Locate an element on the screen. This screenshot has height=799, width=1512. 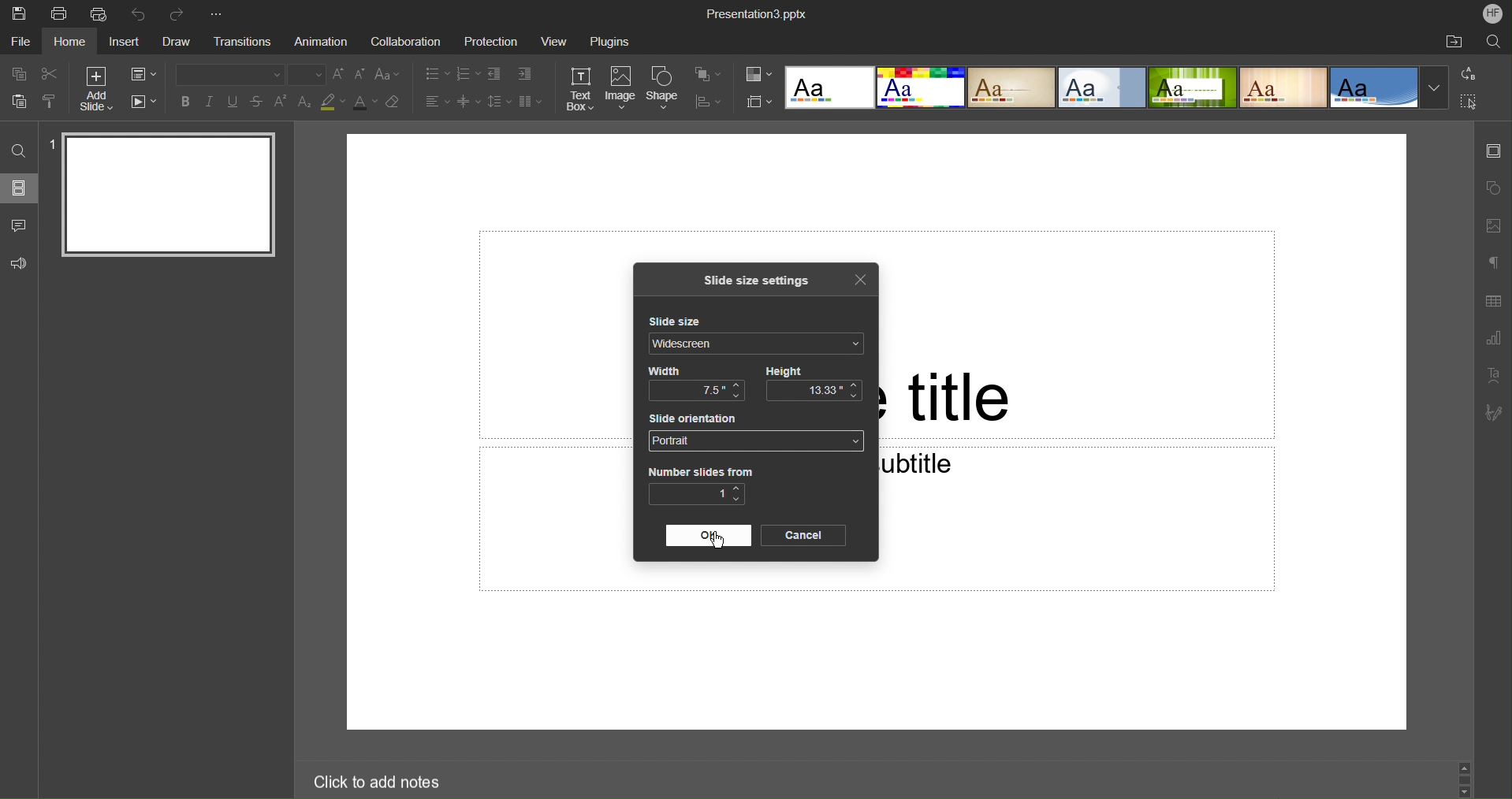
Insert is located at coordinates (125, 43).